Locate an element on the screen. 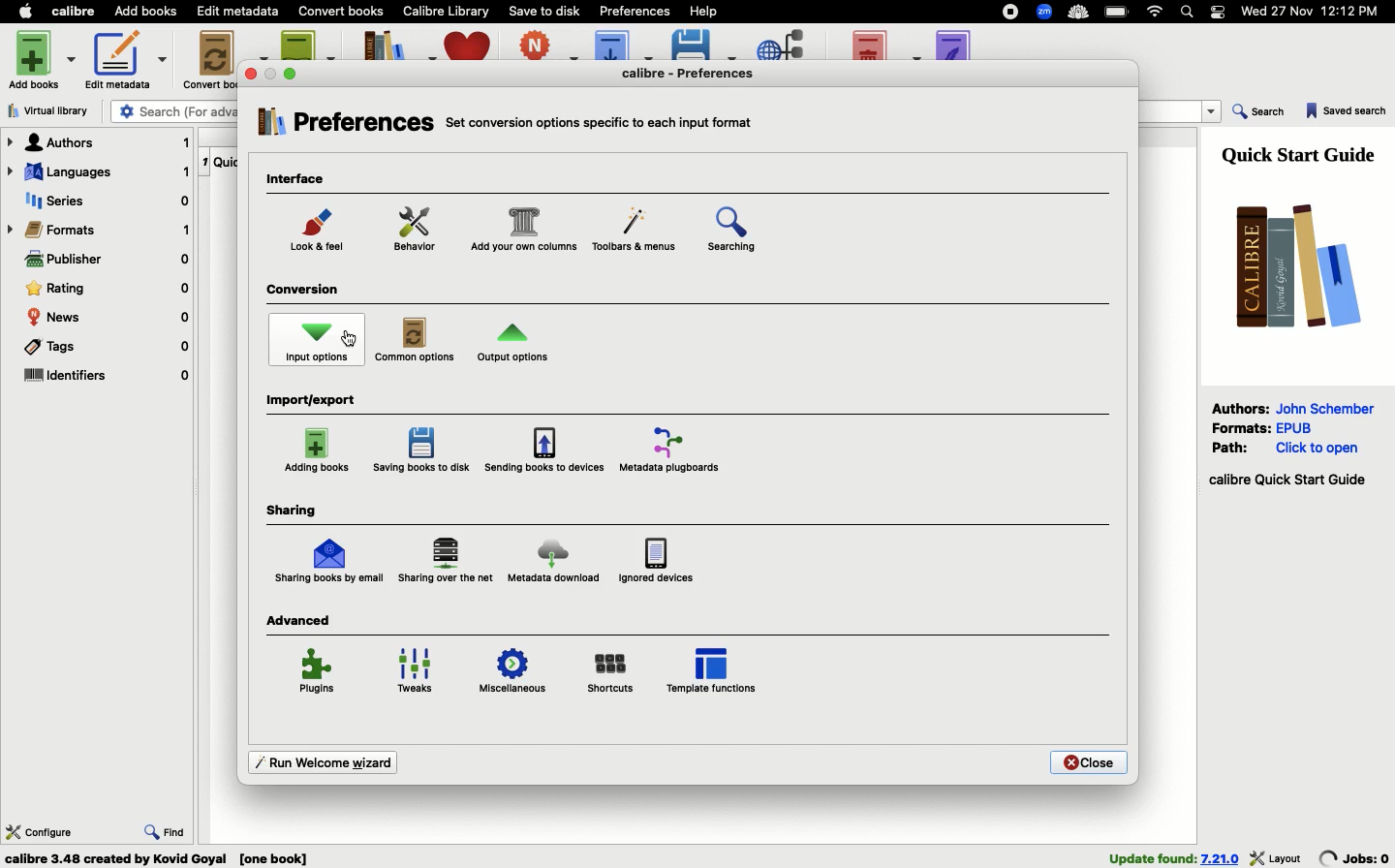 This screenshot has height=868, width=1395. Behavior is located at coordinates (416, 230).